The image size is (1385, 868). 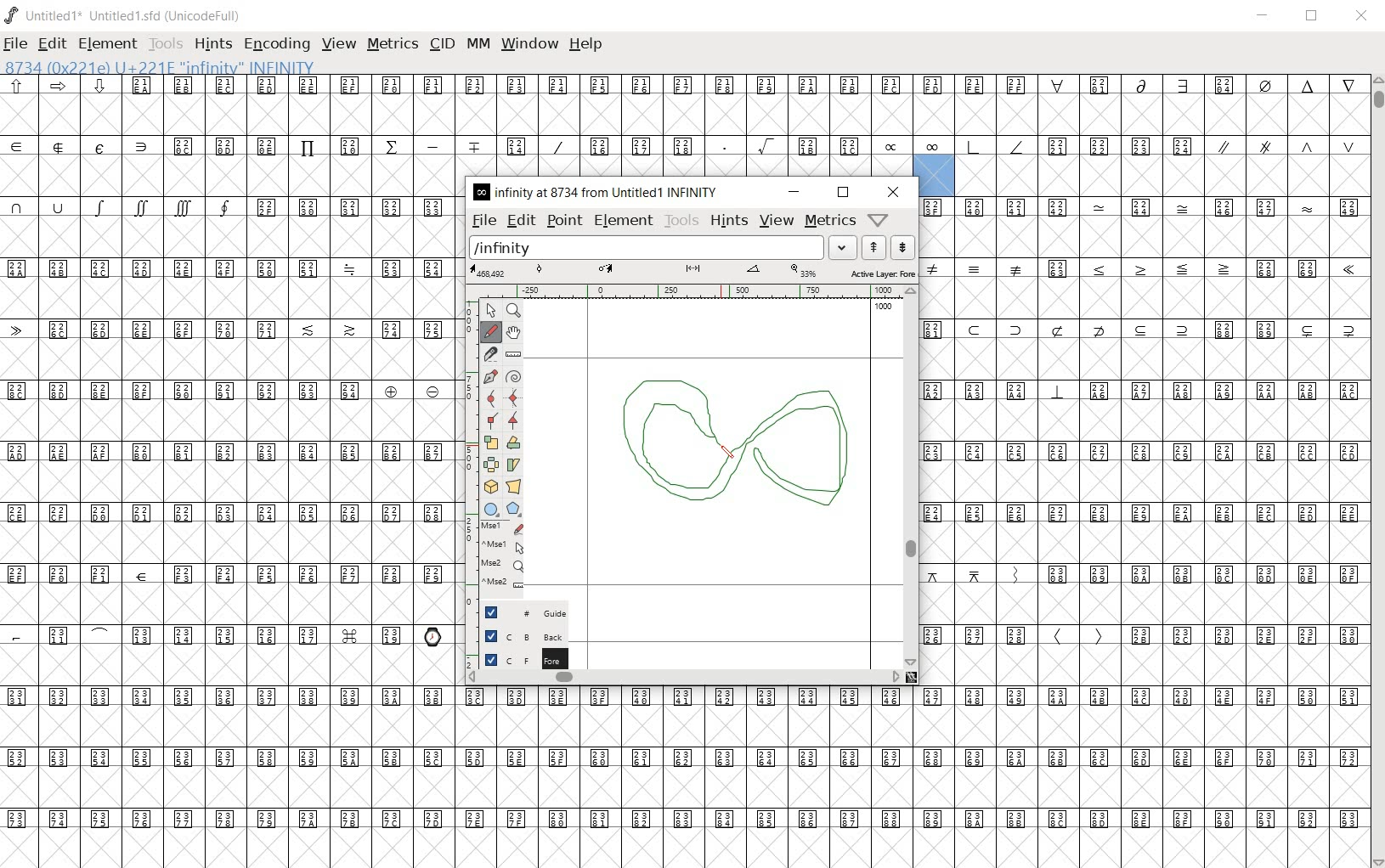 What do you see at coordinates (1144, 667) in the screenshot?
I see `empty glyph slots` at bounding box center [1144, 667].